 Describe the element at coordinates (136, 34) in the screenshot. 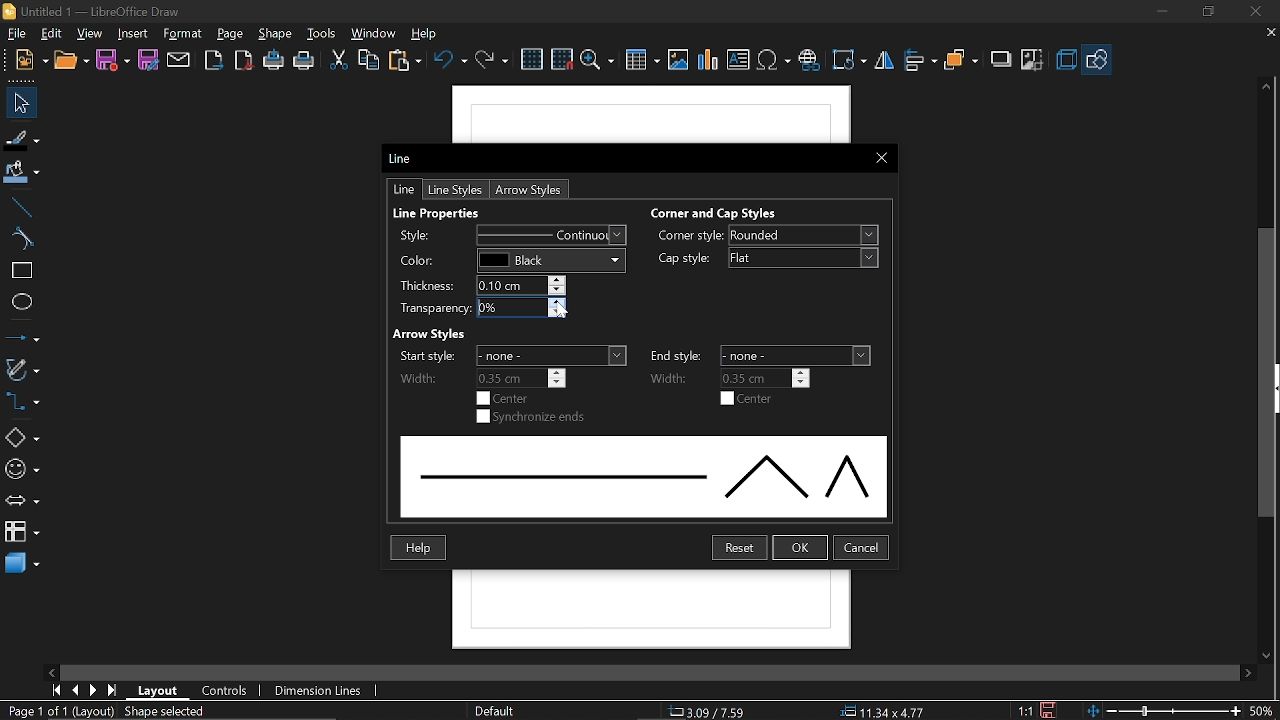

I see `insert` at that location.